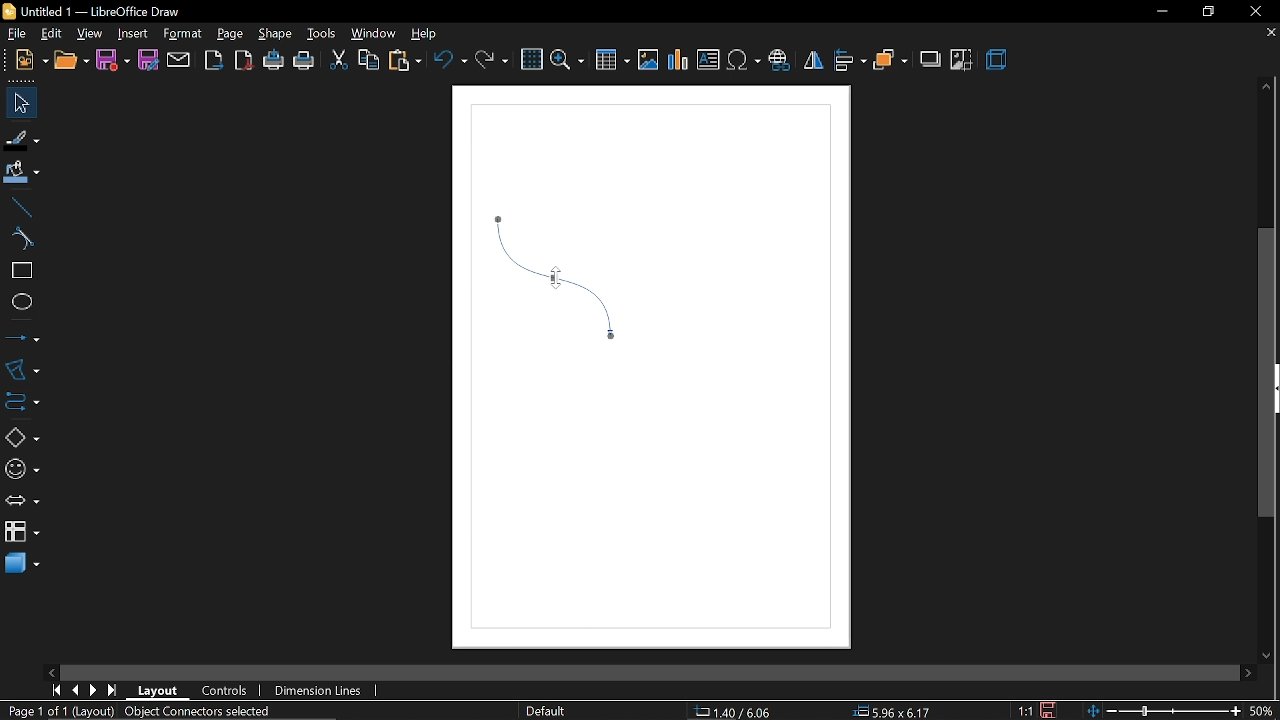  What do you see at coordinates (23, 138) in the screenshot?
I see `fill line` at bounding box center [23, 138].